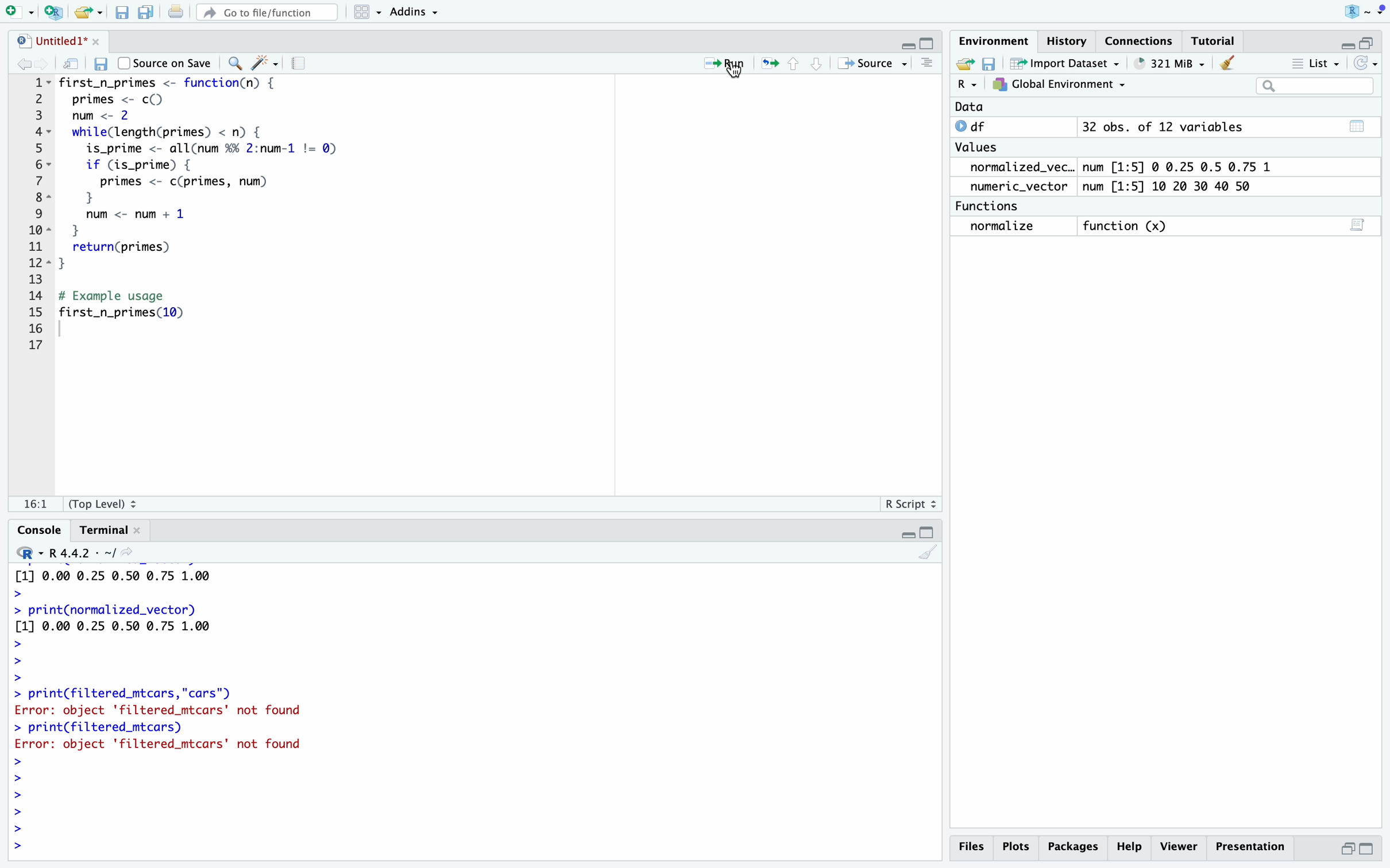 The image size is (1390, 868). I want to click on R Script 2, so click(910, 502).